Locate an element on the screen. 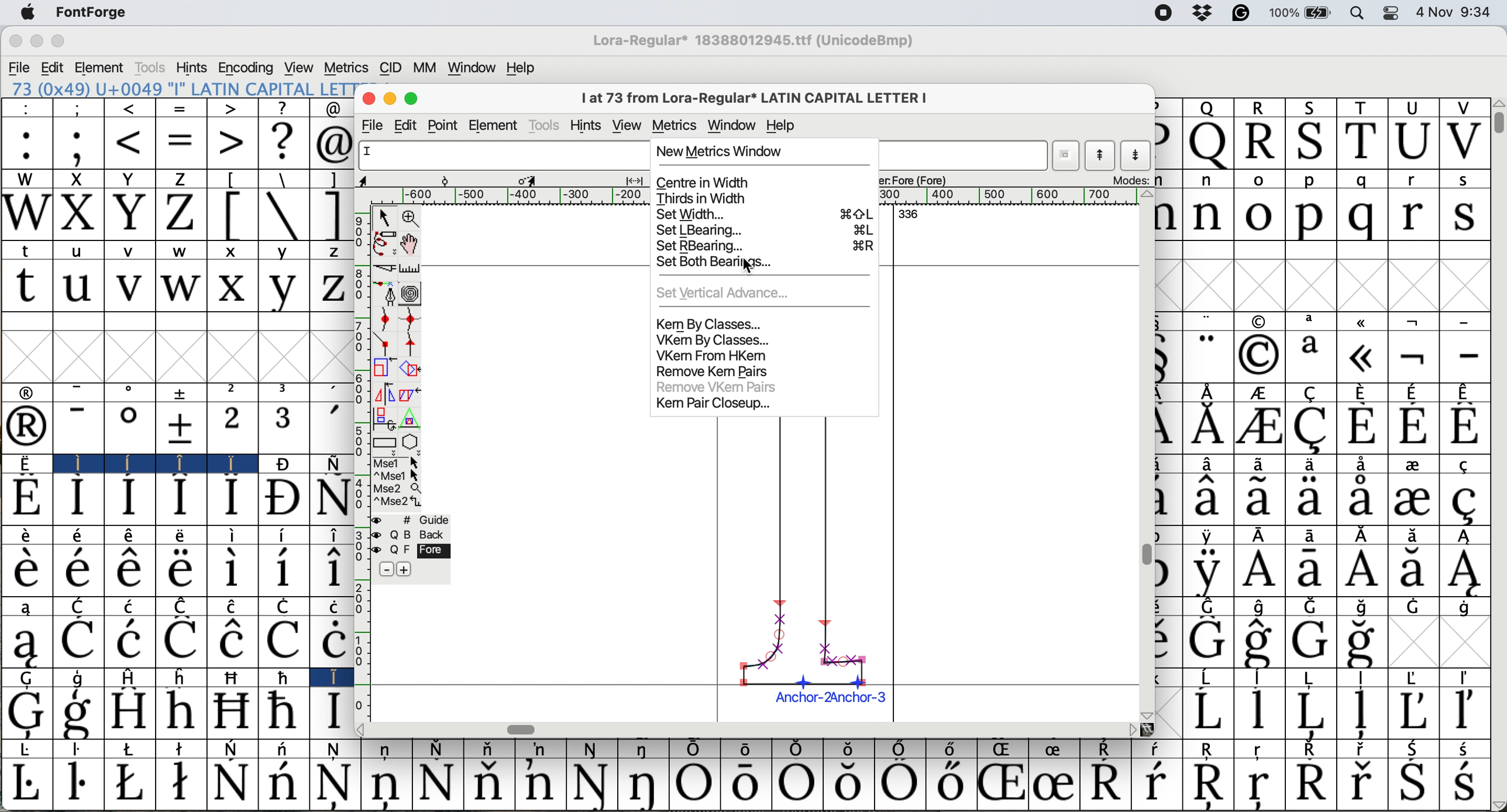  glyph name is located at coordinates (487, 154).